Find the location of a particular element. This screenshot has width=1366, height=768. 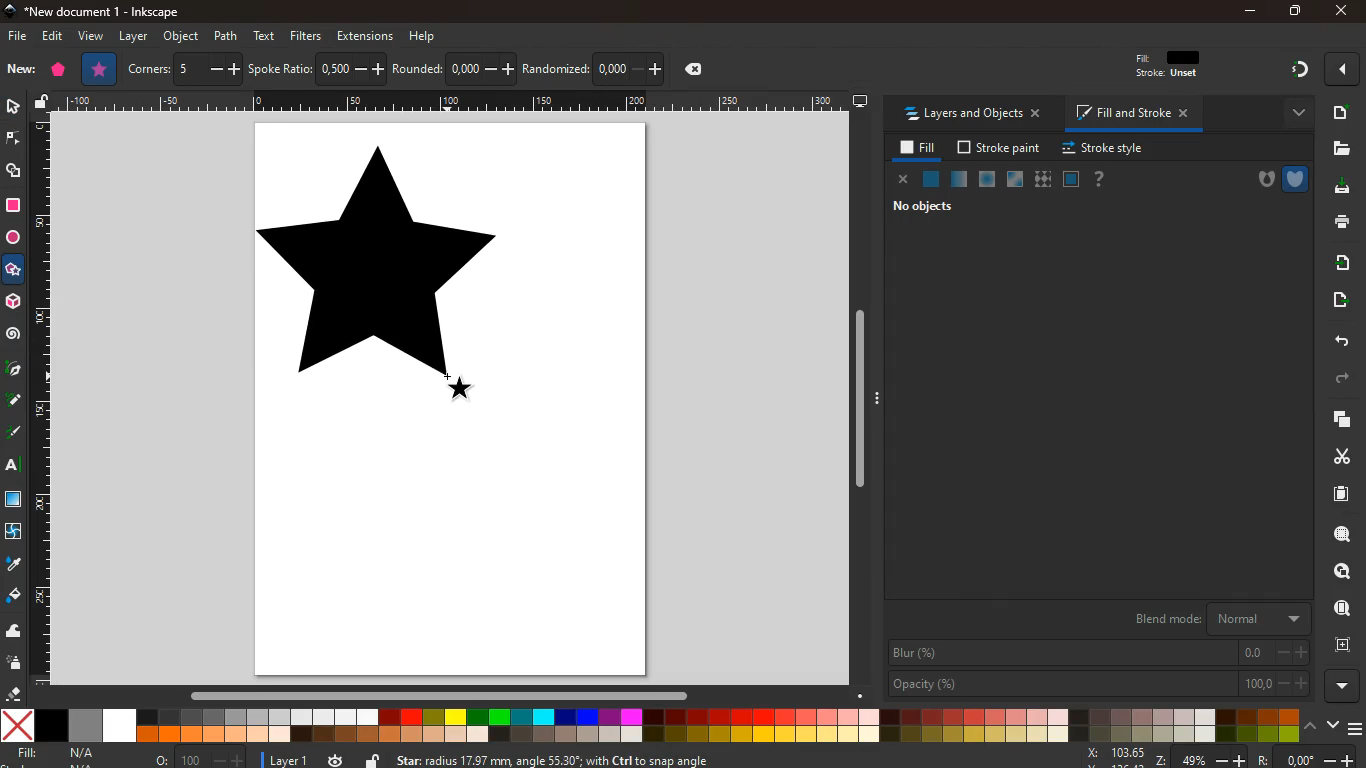

unlock is located at coordinates (44, 103).